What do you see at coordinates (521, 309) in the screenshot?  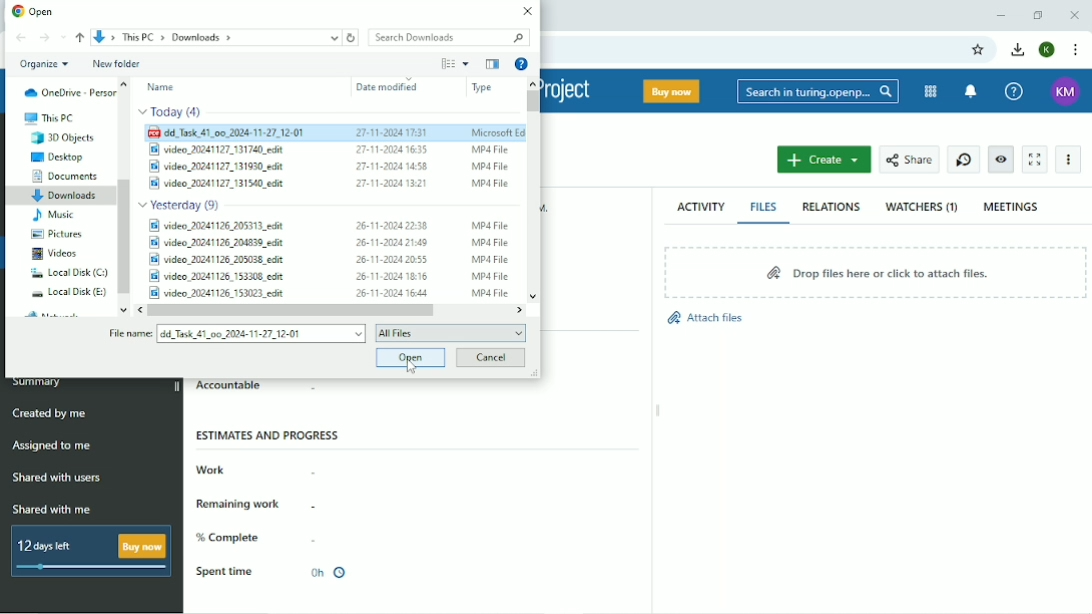 I see `scroll right` at bounding box center [521, 309].